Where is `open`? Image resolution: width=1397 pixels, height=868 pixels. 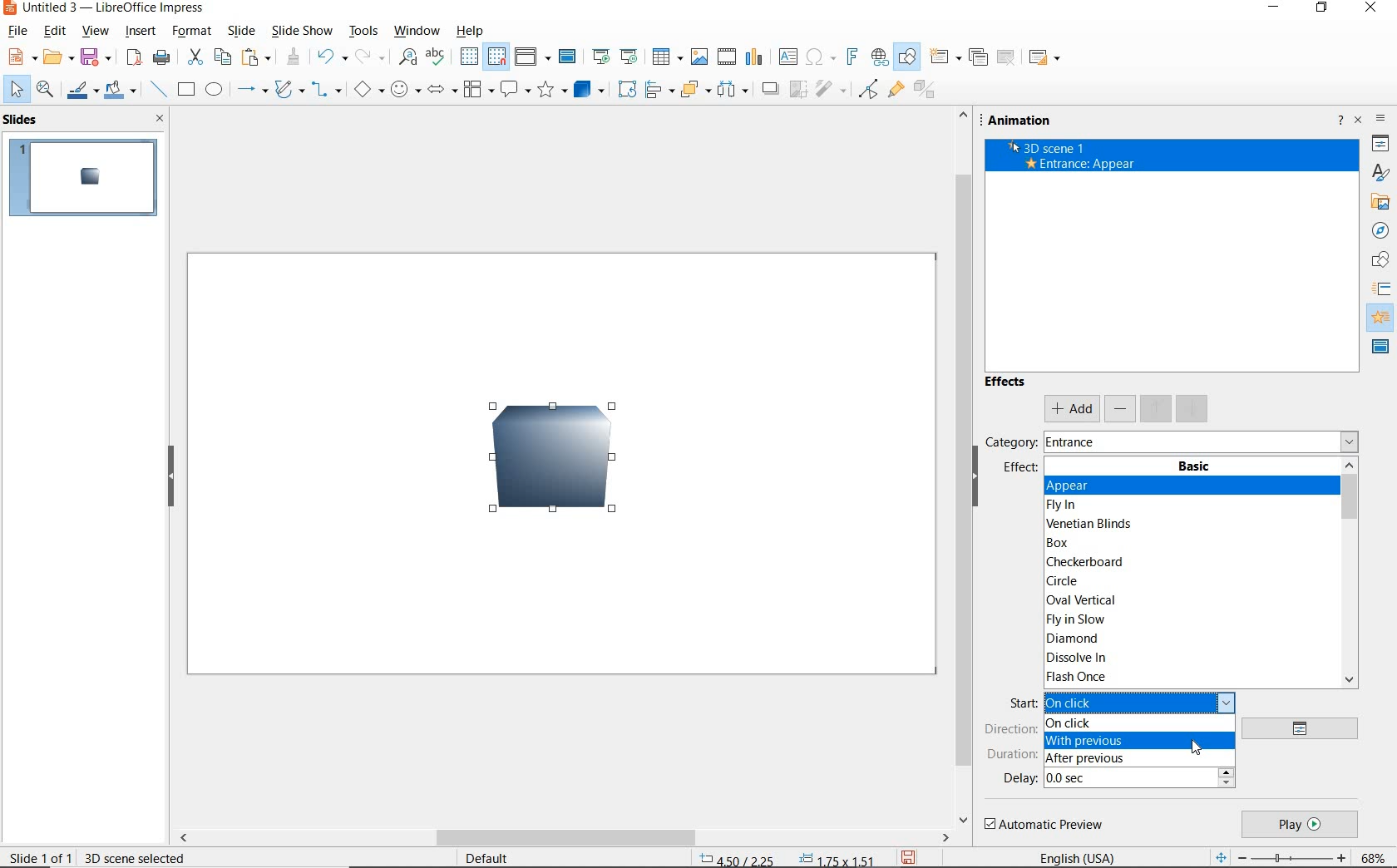
open is located at coordinates (61, 57).